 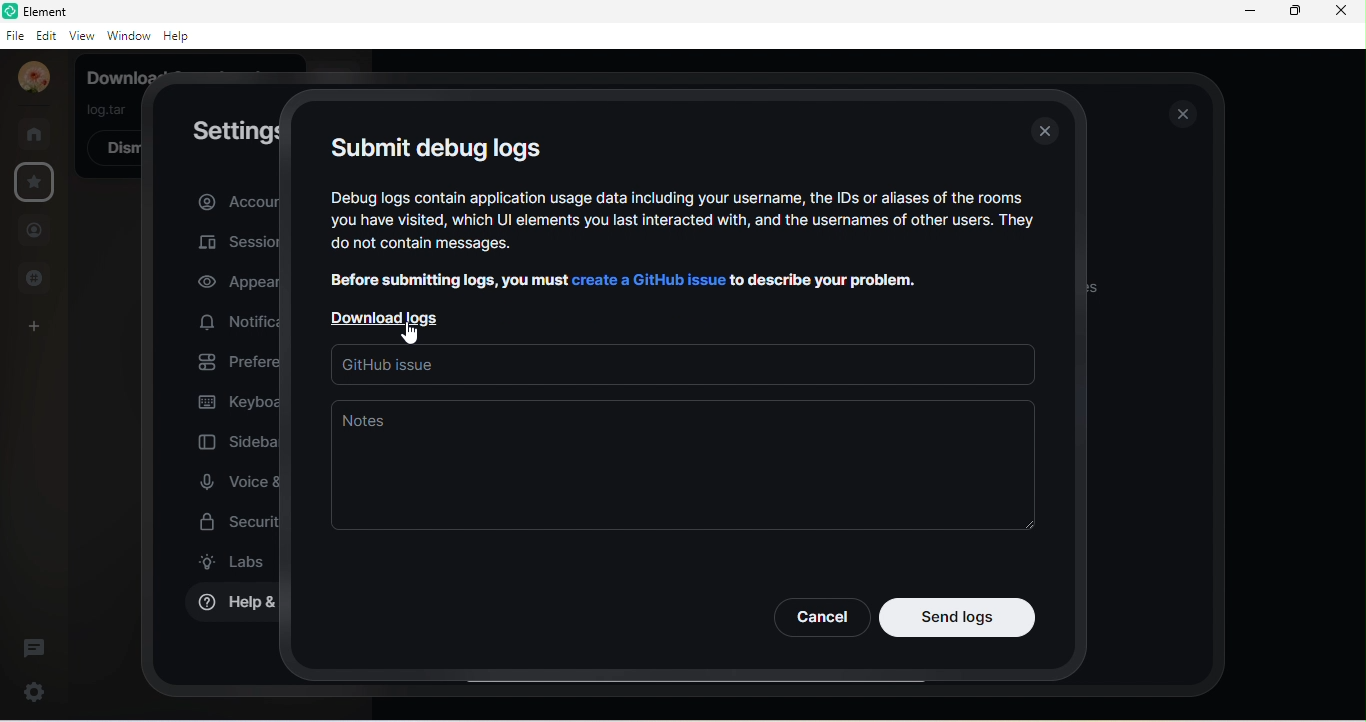 What do you see at coordinates (1294, 12) in the screenshot?
I see `maximize` at bounding box center [1294, 12].